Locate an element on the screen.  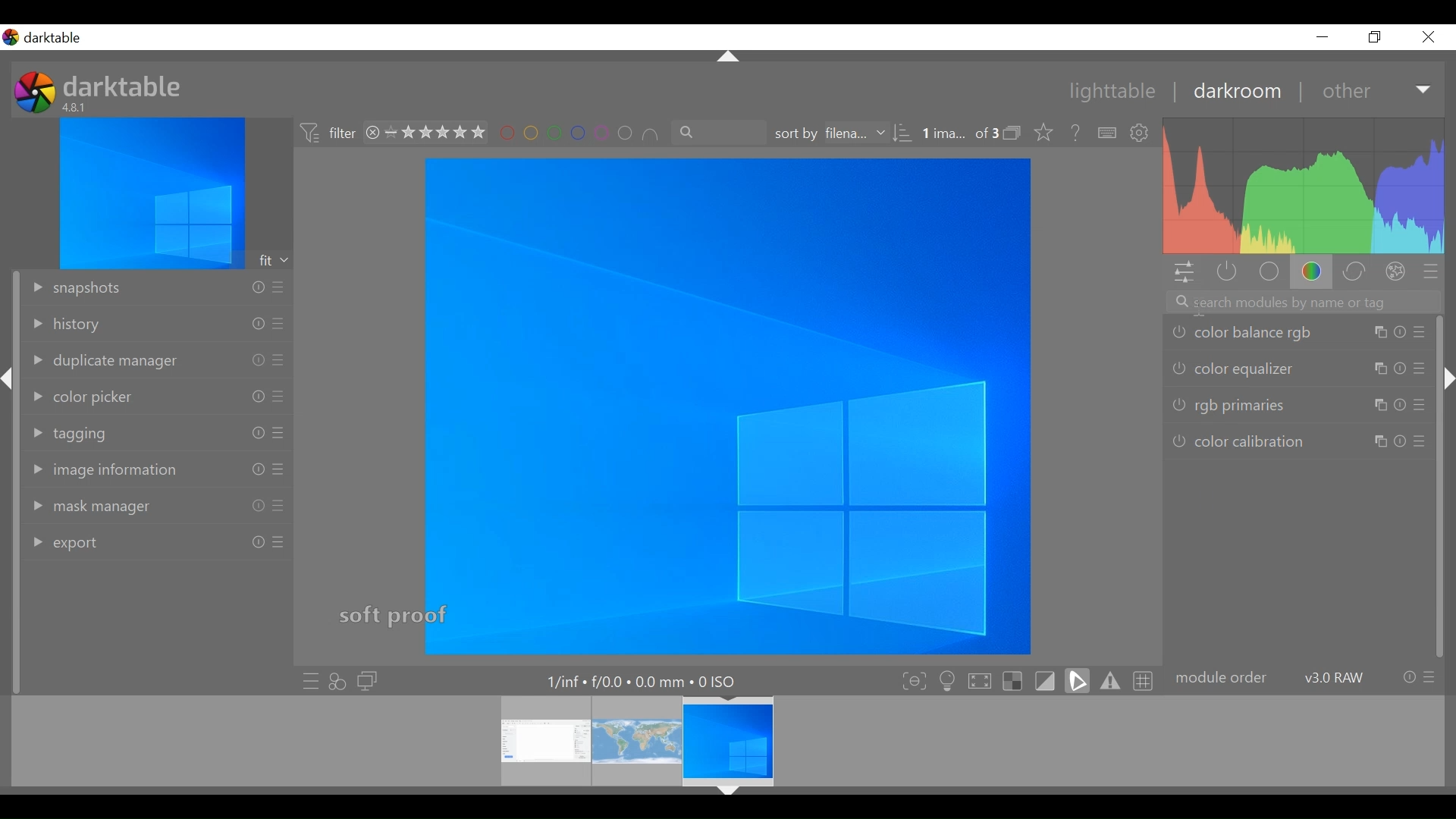
expand/collapse grouped images is located at coordinates (1012, 133).